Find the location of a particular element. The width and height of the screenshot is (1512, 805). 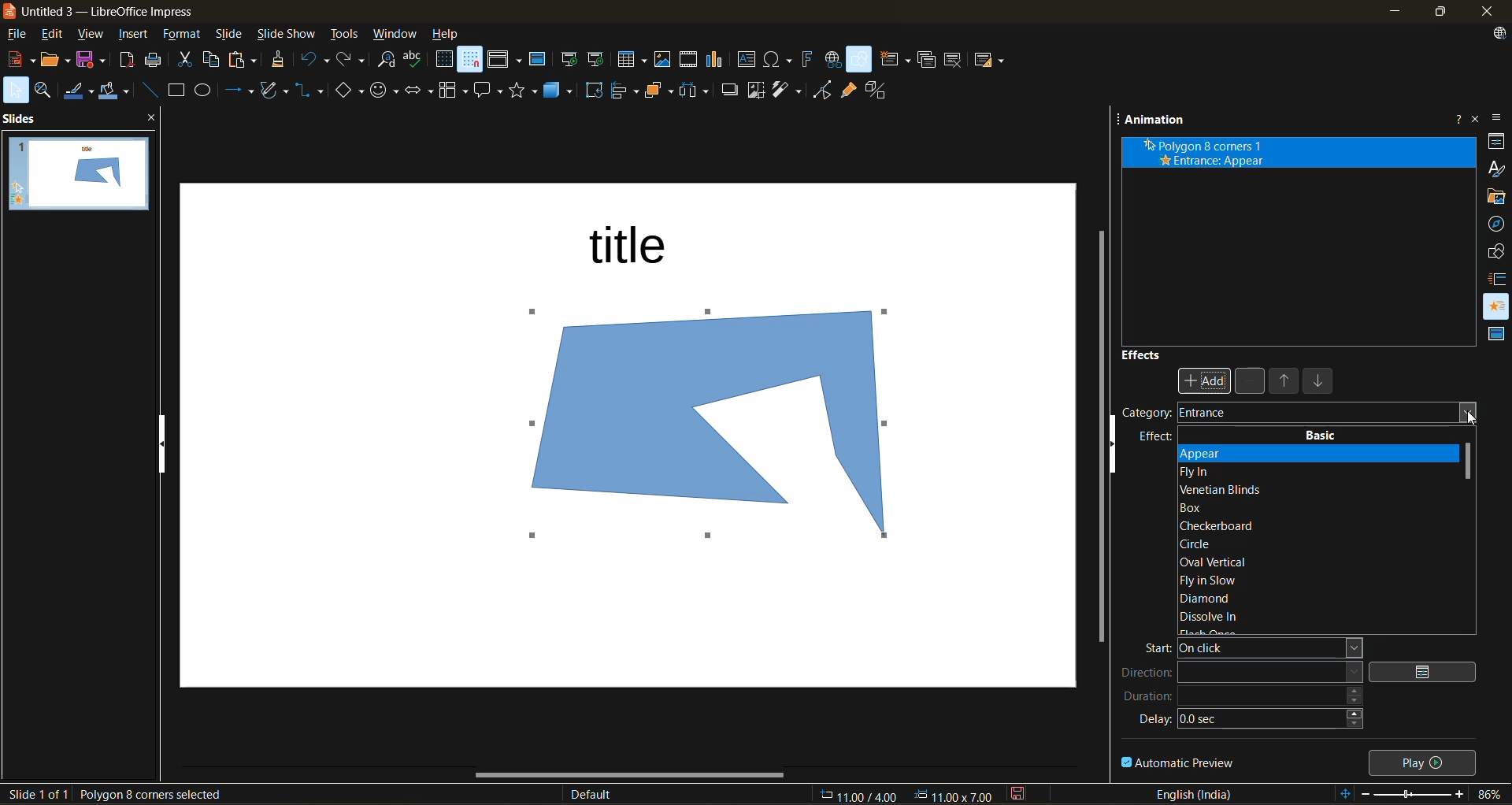

basic is located at coordinates (1328, 436).